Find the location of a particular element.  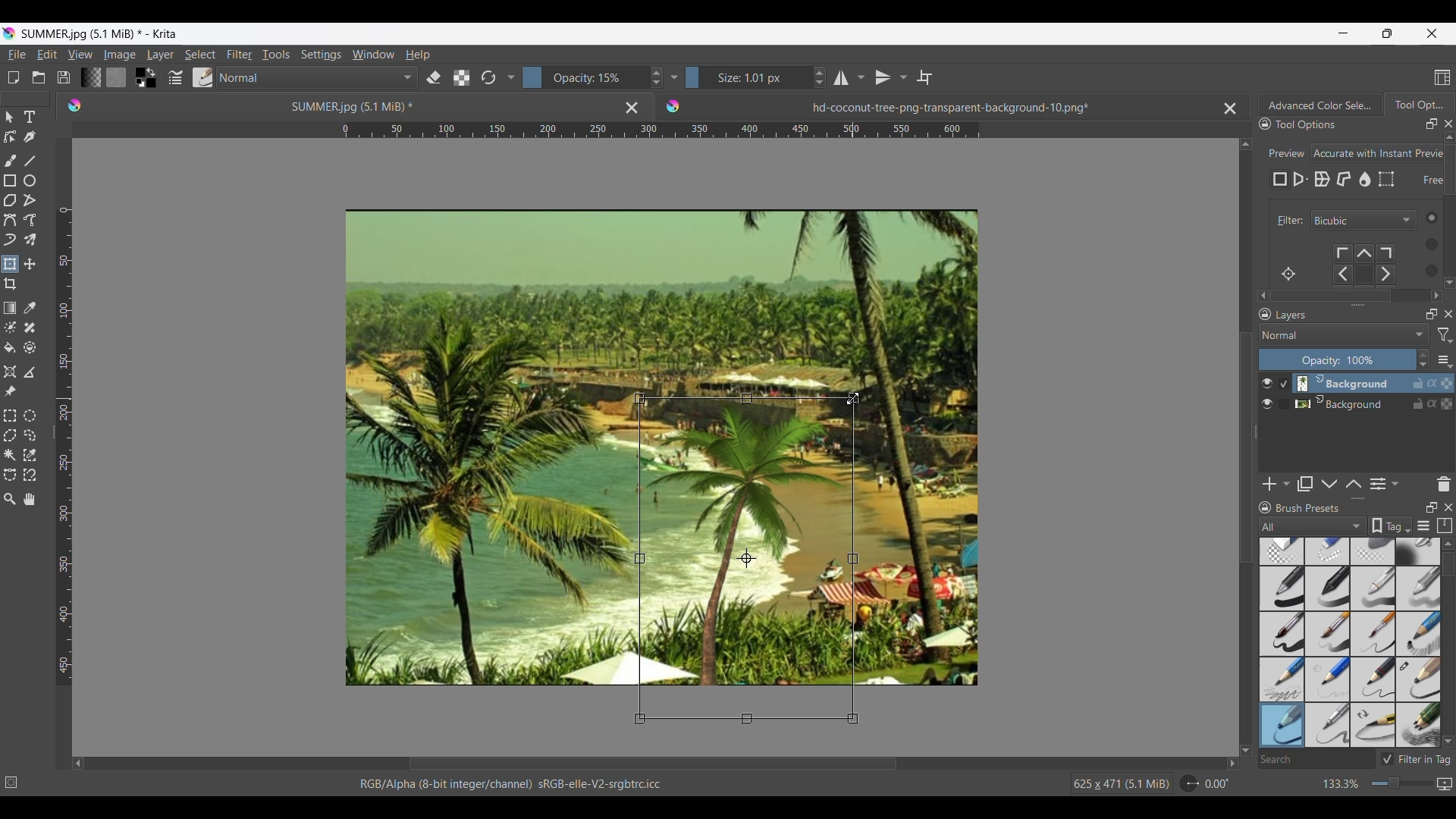

SUMMERjpg(5.1 MiB)* - Lrita is located at coordinates (101, 33).